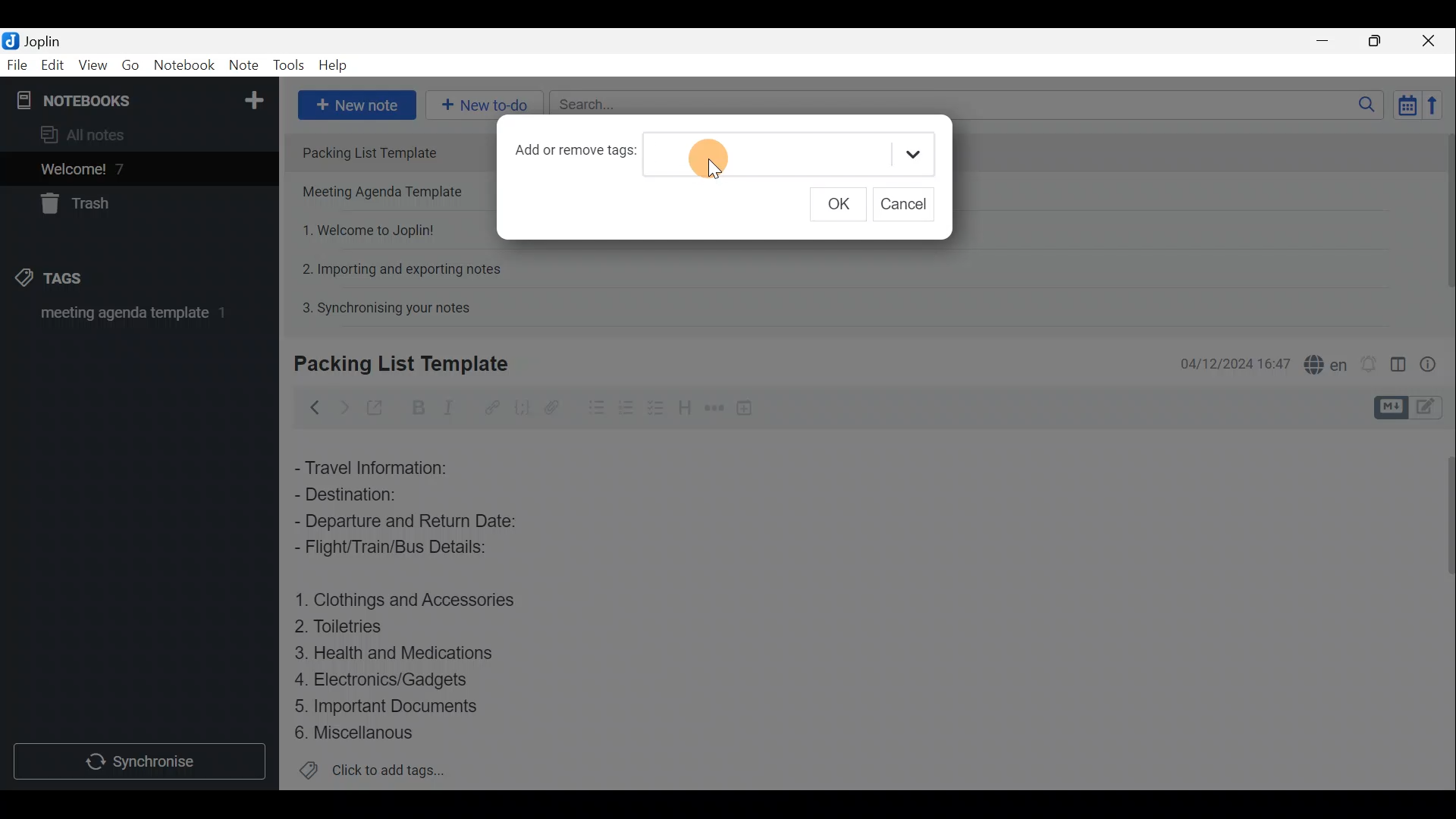  What do you see at coordinates (349, 629) in the screenshot?
I see `Toiletries` at bounding box center [349, 629].